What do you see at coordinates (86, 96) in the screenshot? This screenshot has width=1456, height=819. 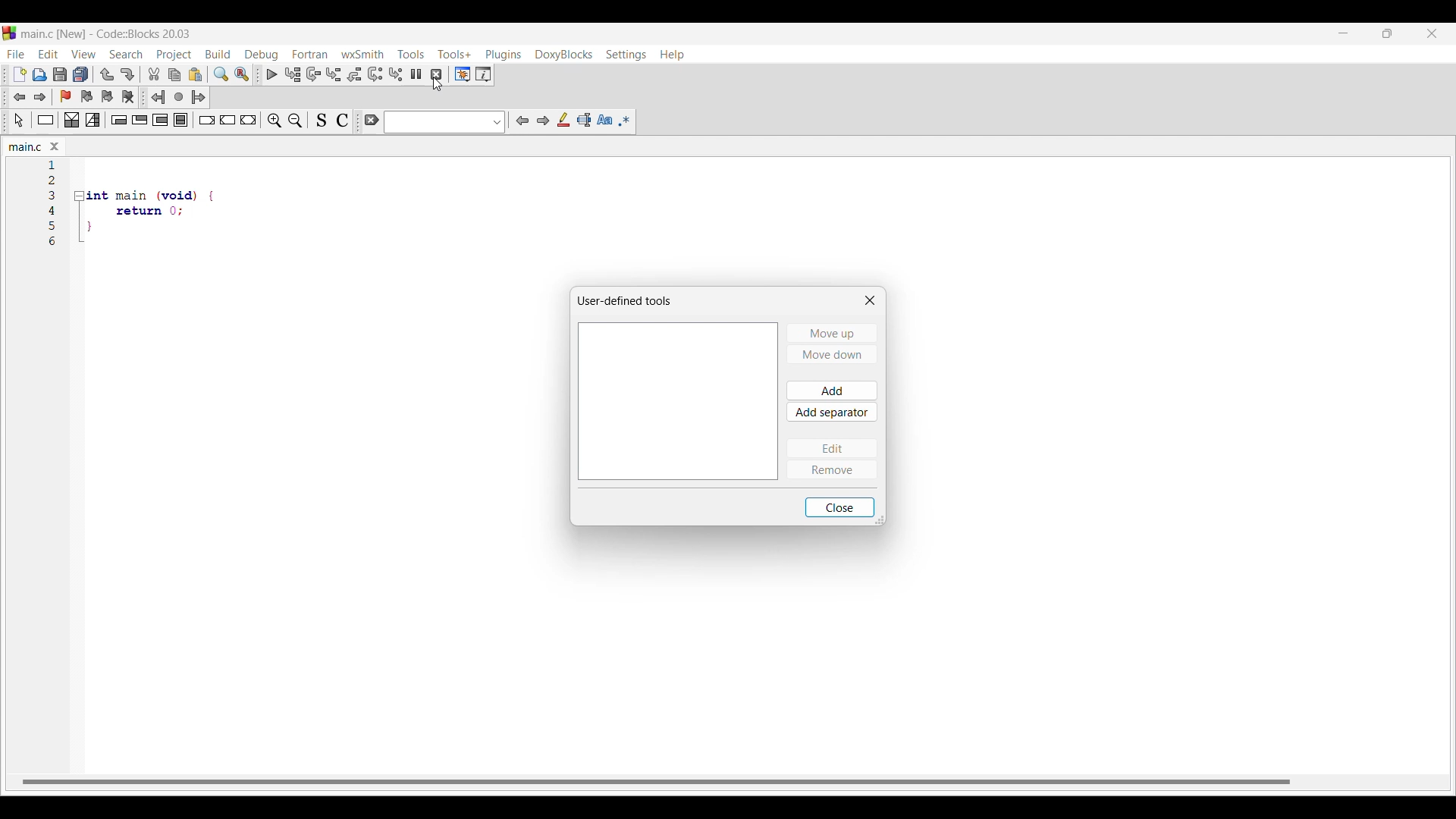 I see `Previous bookmark` at bounding box center [86, 96].